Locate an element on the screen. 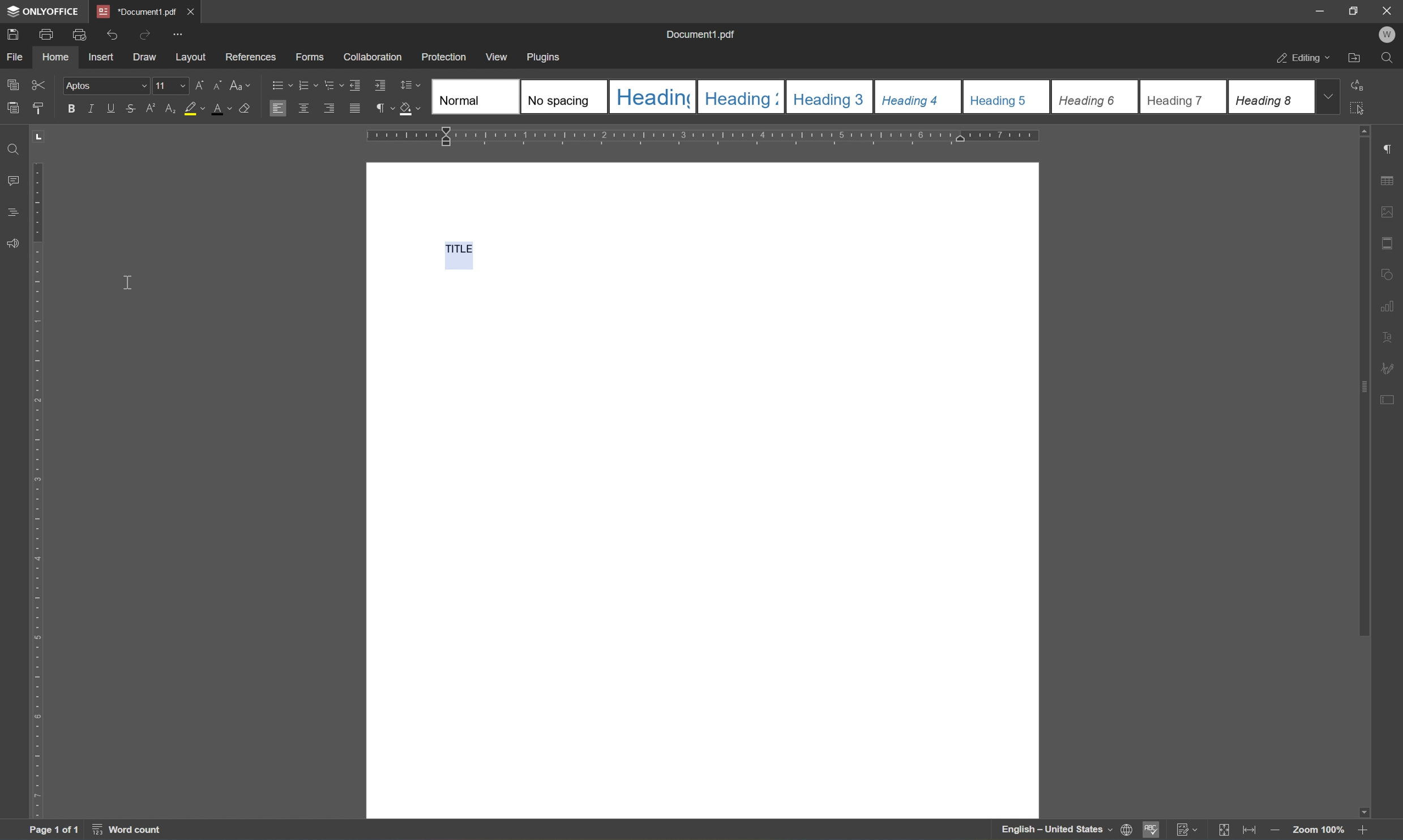 The height and width of the screenshot is (840, 1403). cut is located at coordinates (39, 85).